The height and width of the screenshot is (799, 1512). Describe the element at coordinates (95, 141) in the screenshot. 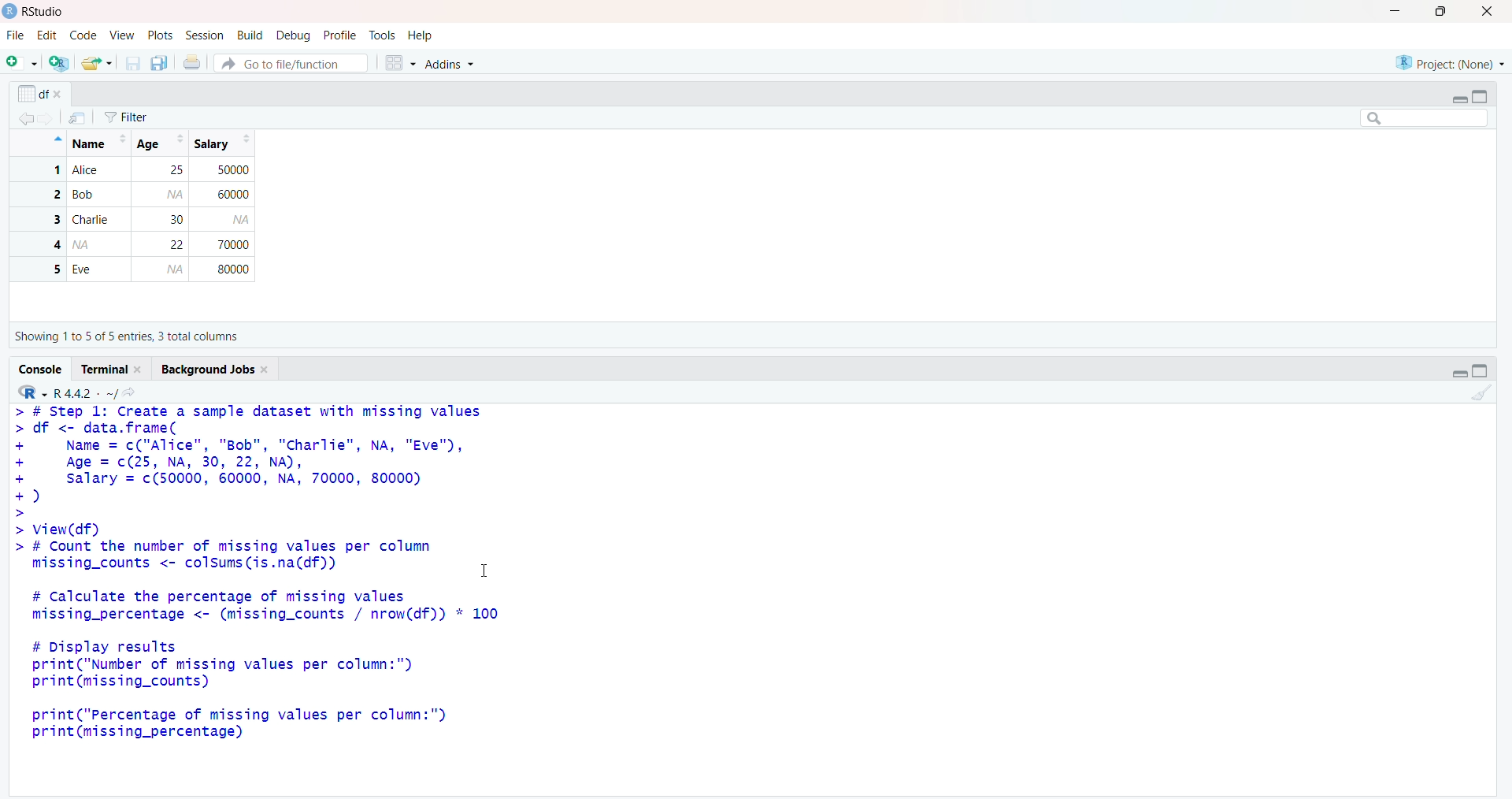

I see `Name` at that location.